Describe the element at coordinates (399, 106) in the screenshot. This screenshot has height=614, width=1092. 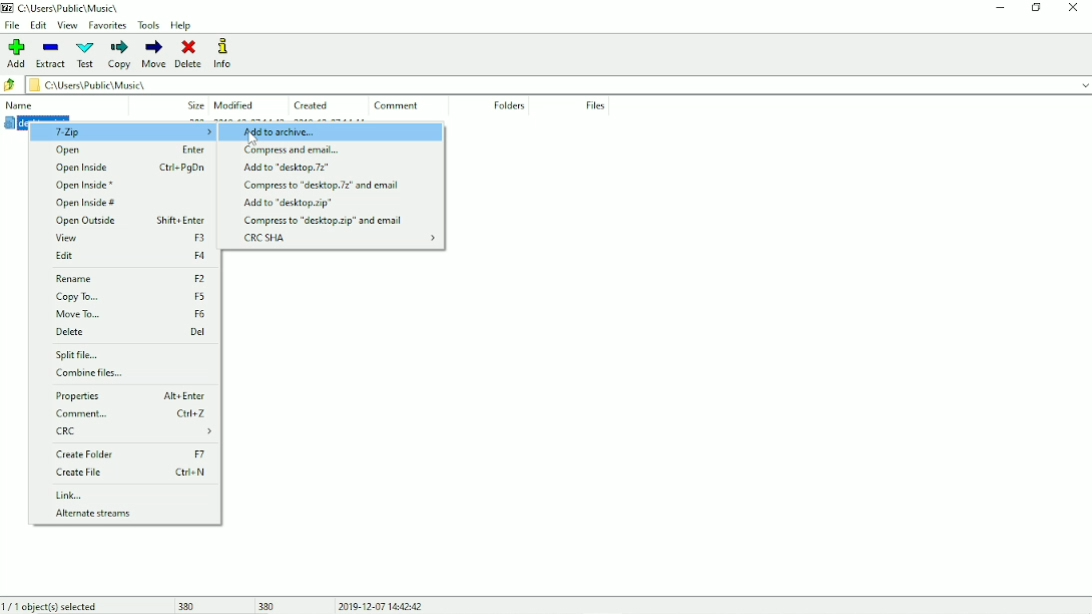
I see `Comment` at that location.